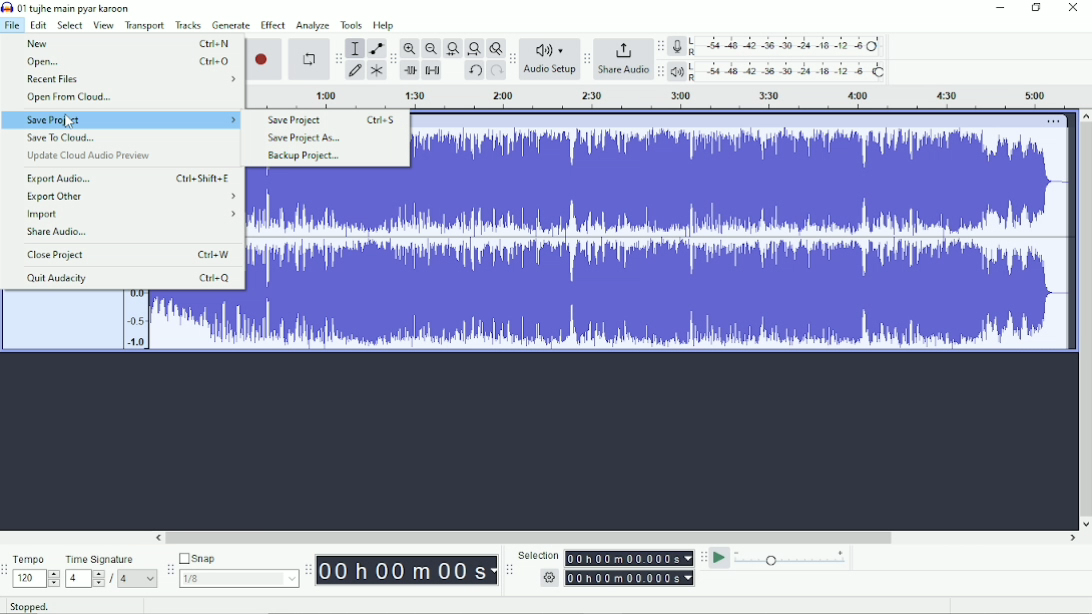 The image size is (1092, 614). What do you see at coordinates (37, 571) in the screenshot?
I see `Tempo` at bounding box center [37, 571].